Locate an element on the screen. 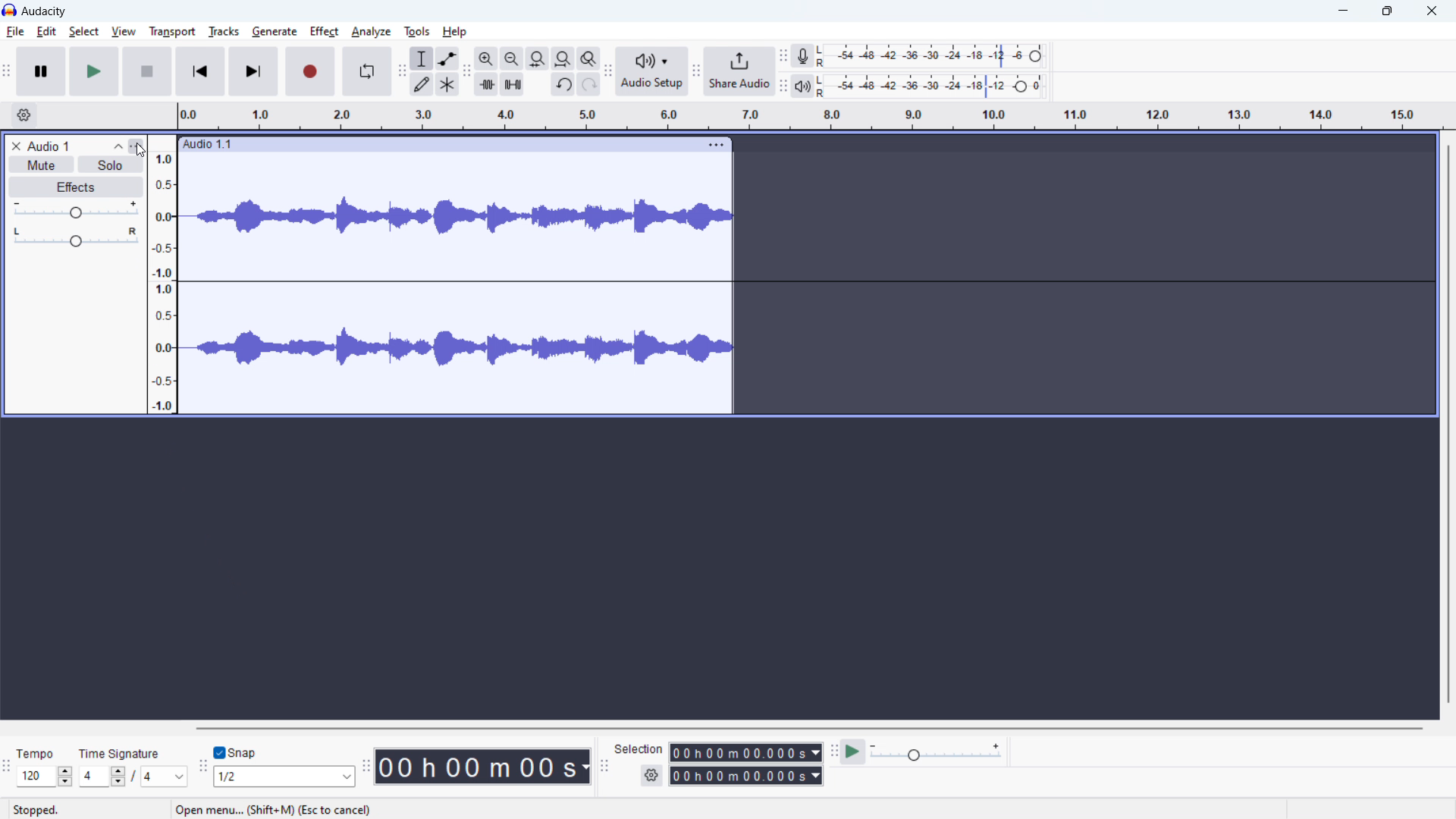 This screenshot has width=1456, height=819. generate is located at coordinates (274, 32).